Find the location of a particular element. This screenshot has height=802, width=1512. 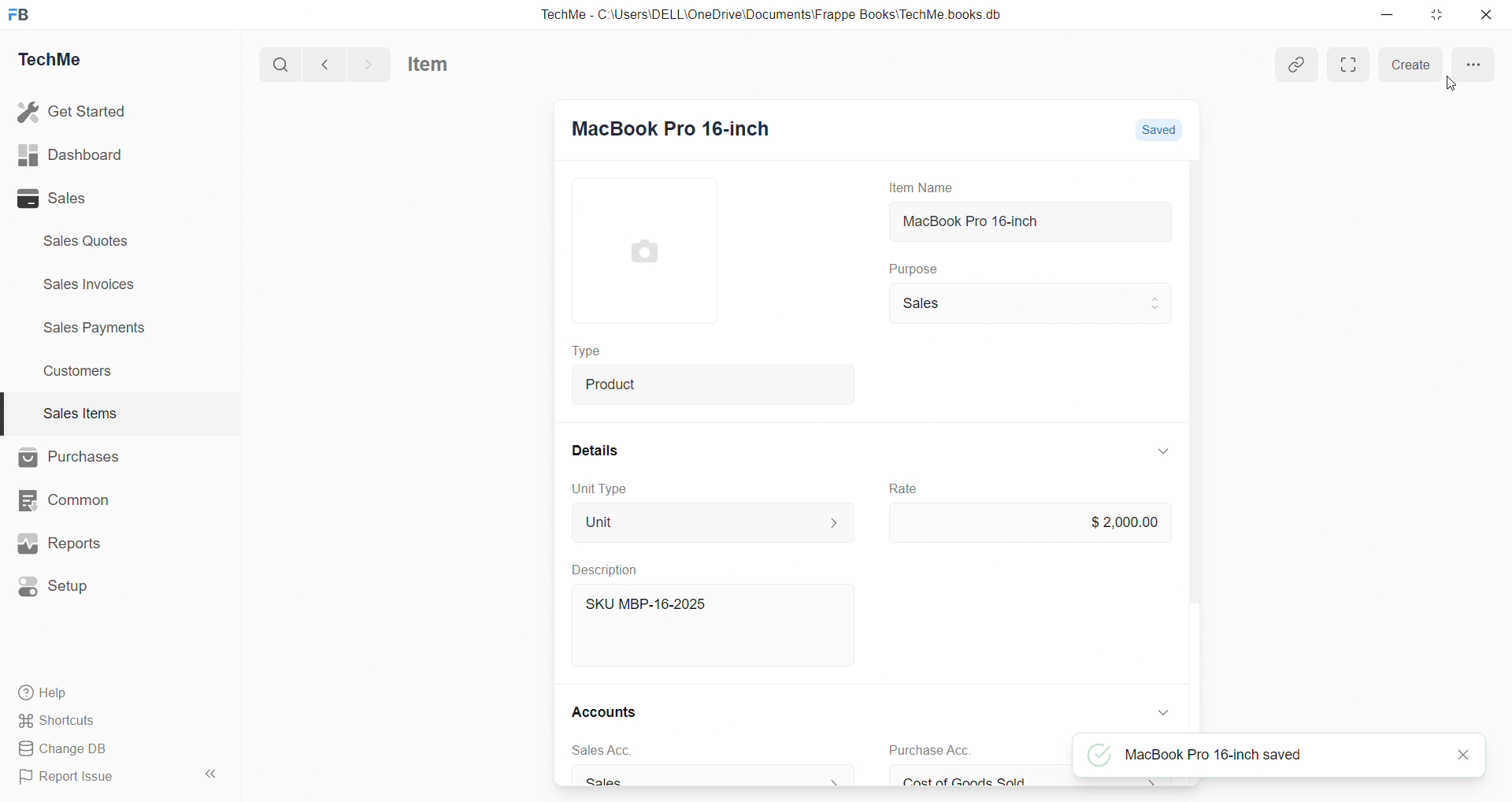

Sales is located at coordinates (54, 199).